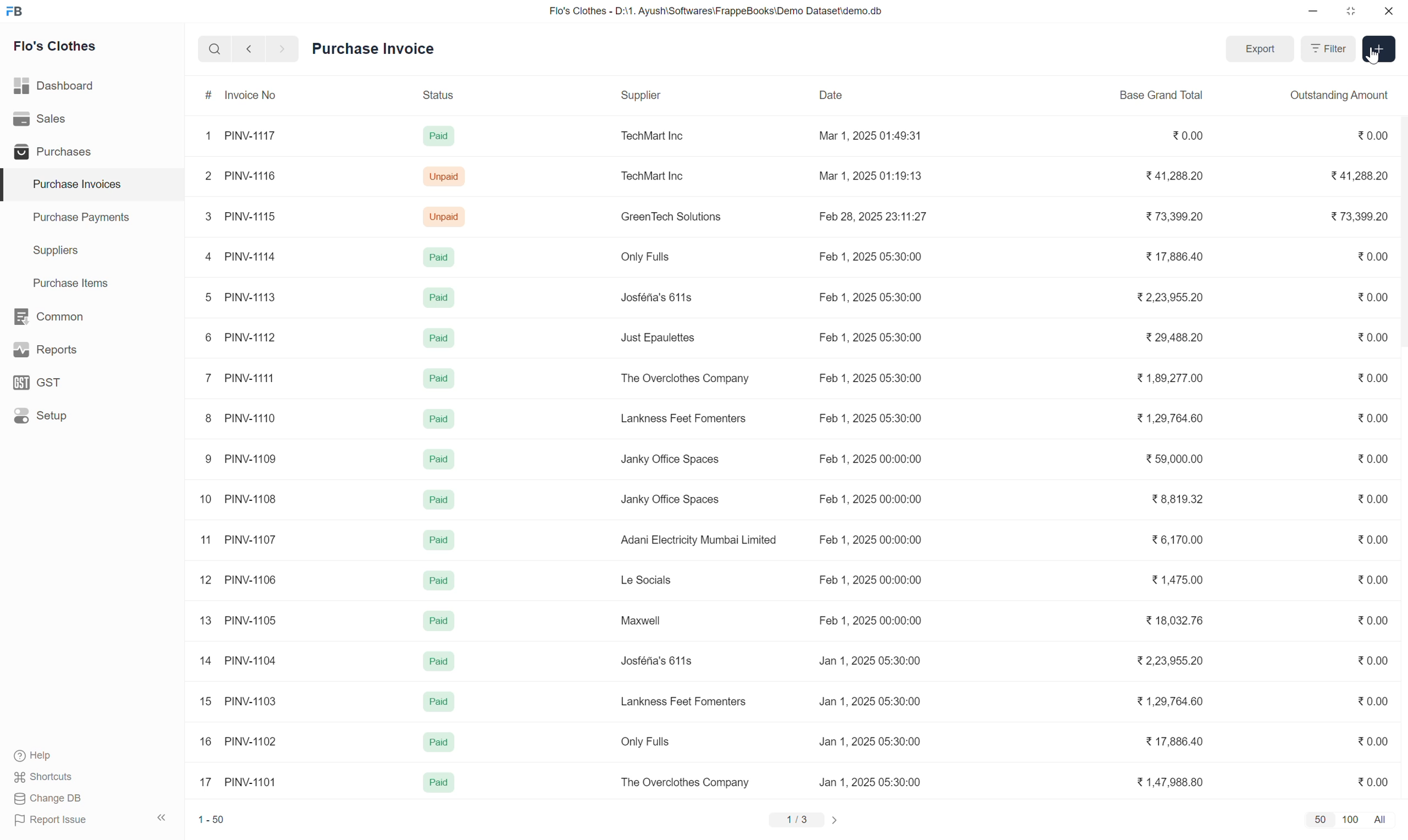  I want to click on 13 PINV-1105, so click(238, 620).